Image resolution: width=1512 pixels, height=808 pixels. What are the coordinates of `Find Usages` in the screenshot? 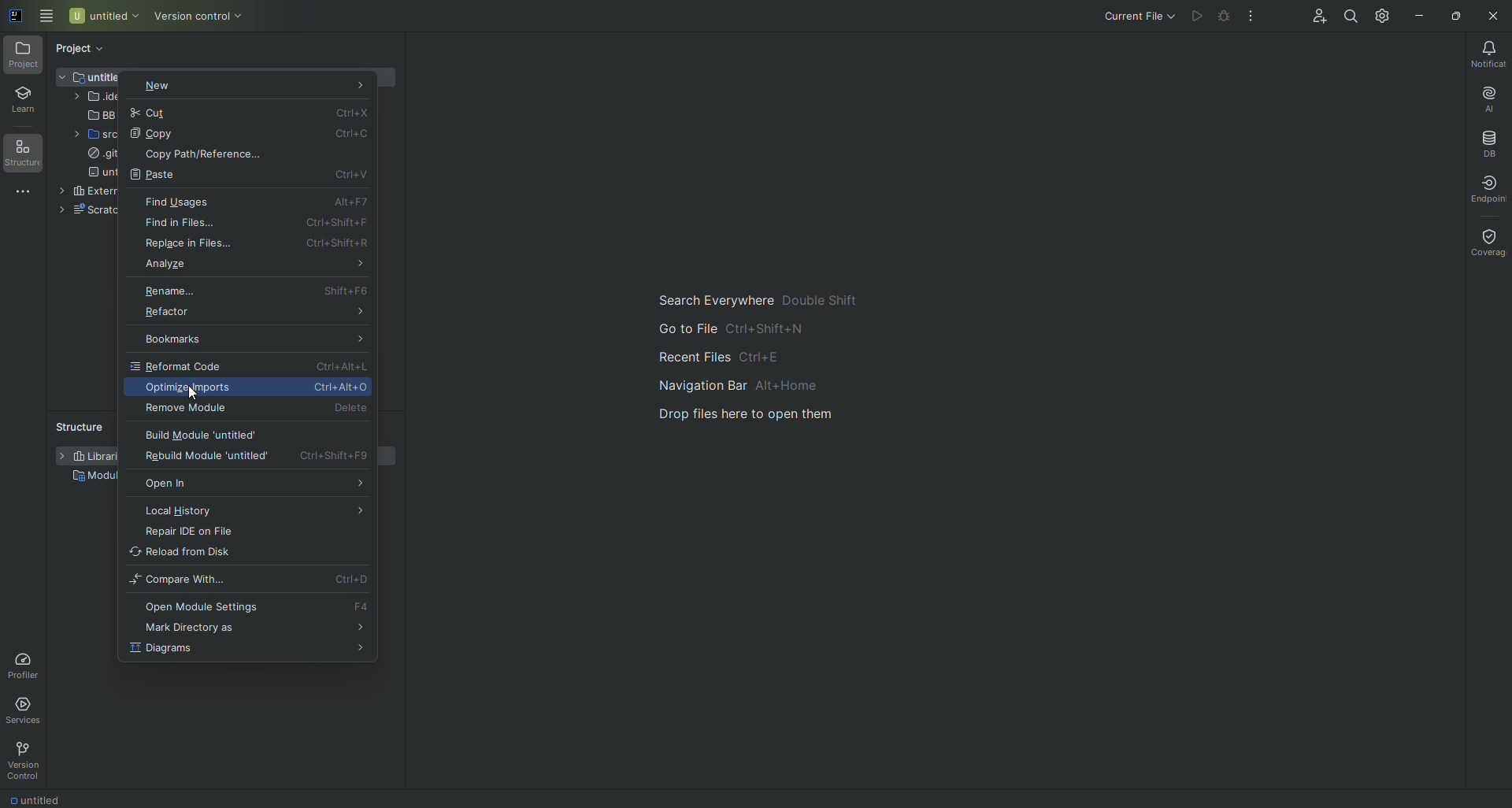 It's located at (256, 202).